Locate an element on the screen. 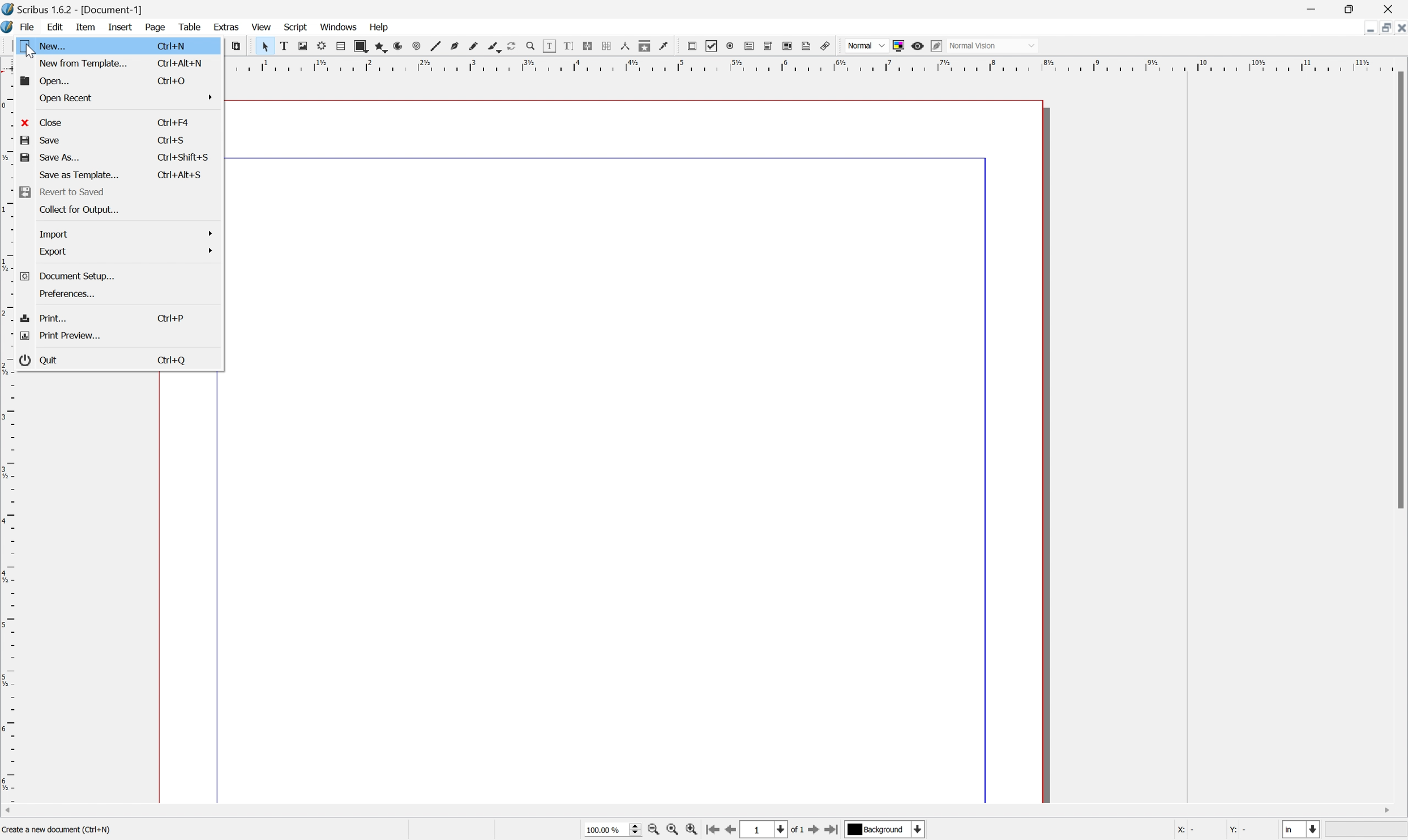 The height and width of the screenshot is (840, 1408). Print preview is located at coordinates (63, 335).